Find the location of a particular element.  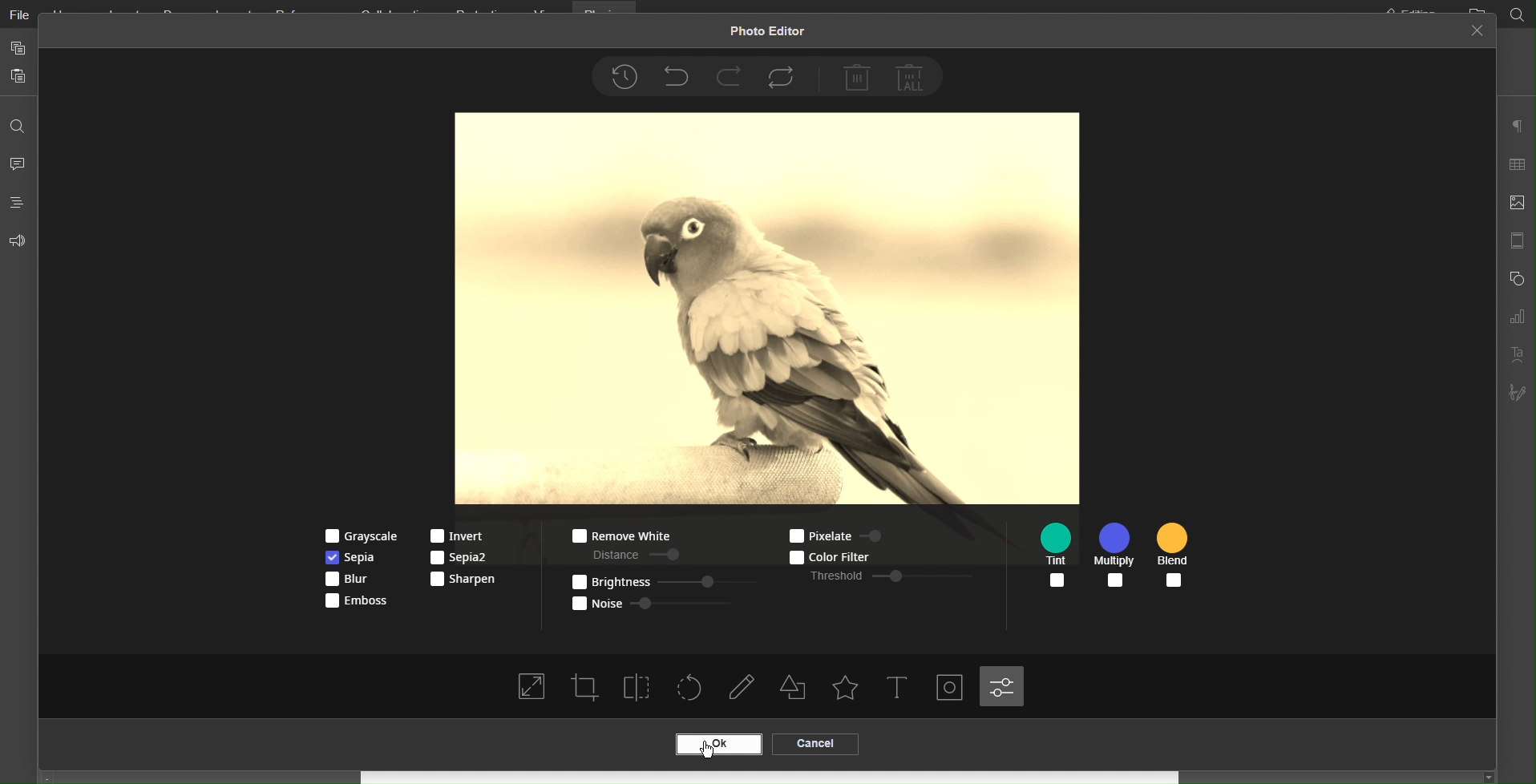

Blur is located at coordinates (353, 581).